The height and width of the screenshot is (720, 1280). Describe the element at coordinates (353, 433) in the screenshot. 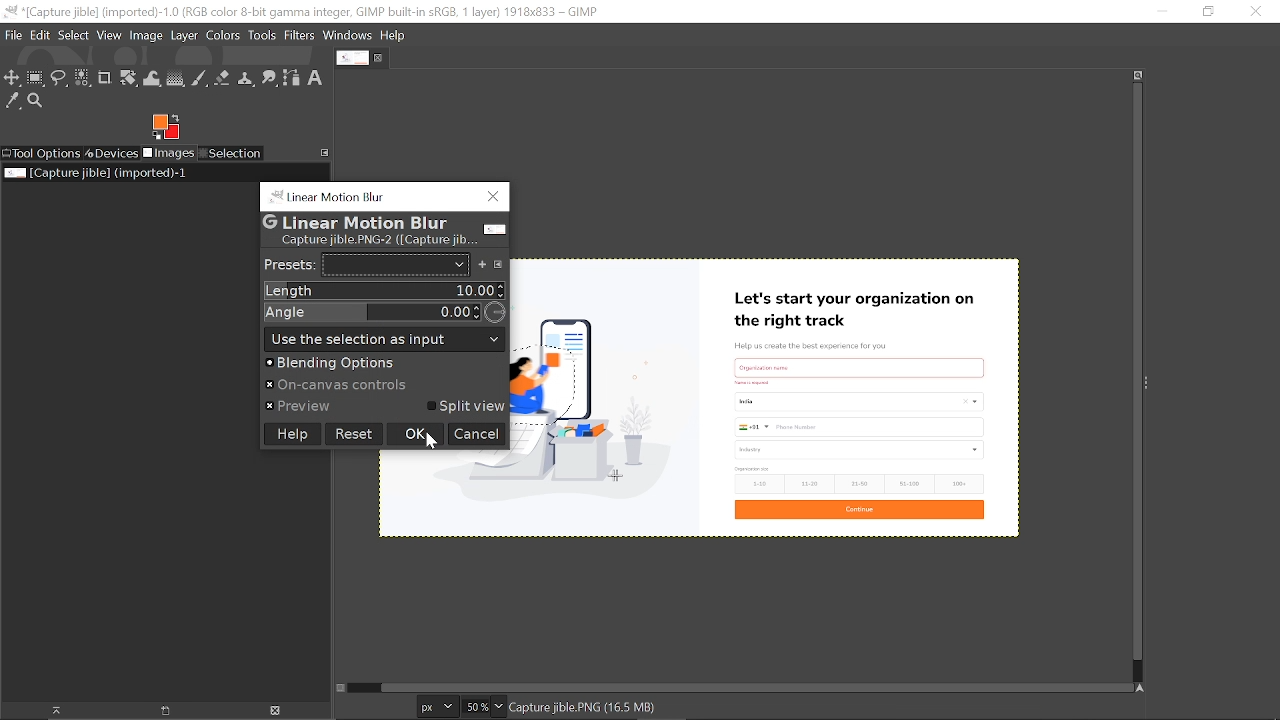

I see `Reset` at that location.